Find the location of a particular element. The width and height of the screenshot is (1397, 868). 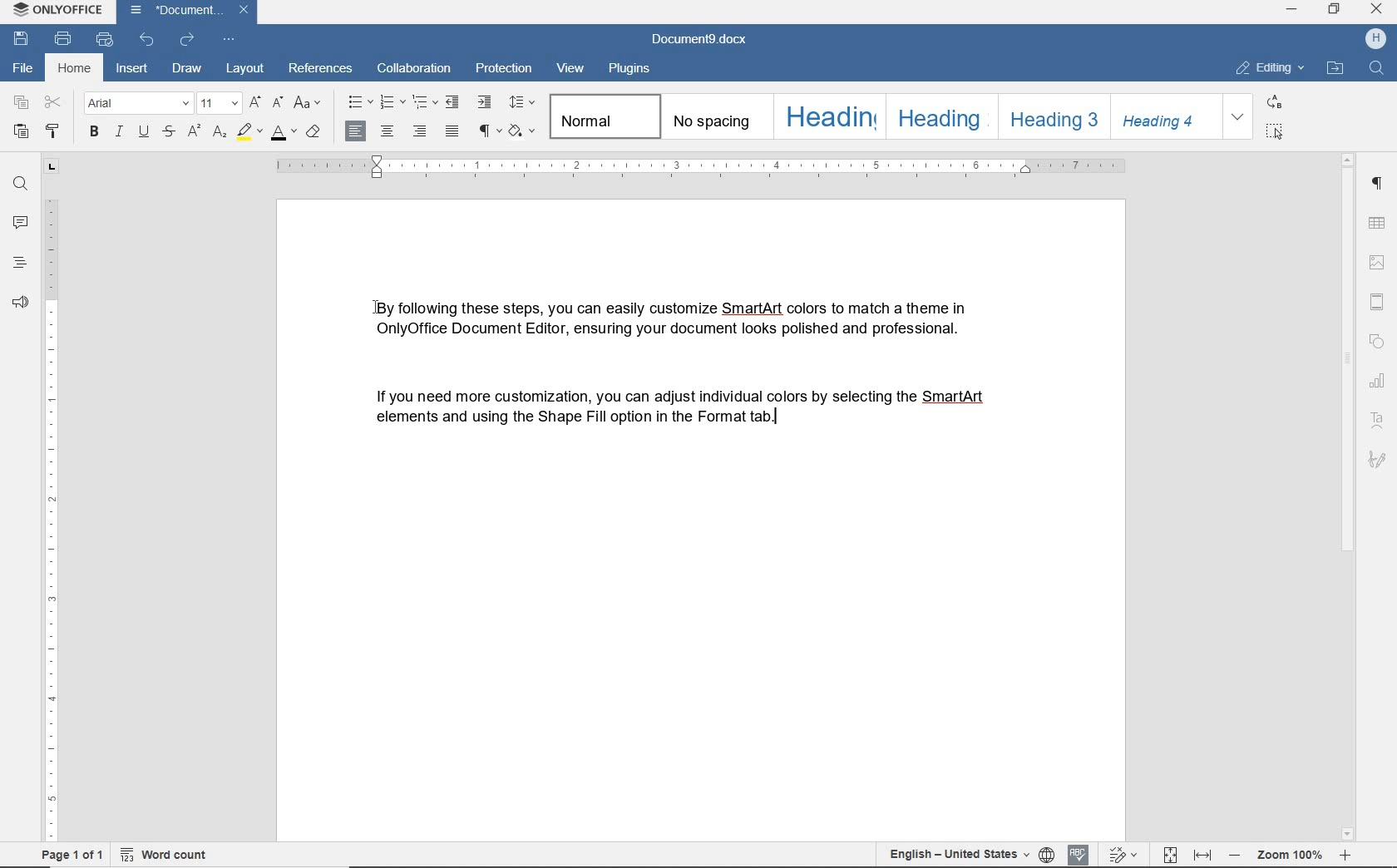

protection is located at coordinates (505, 70).